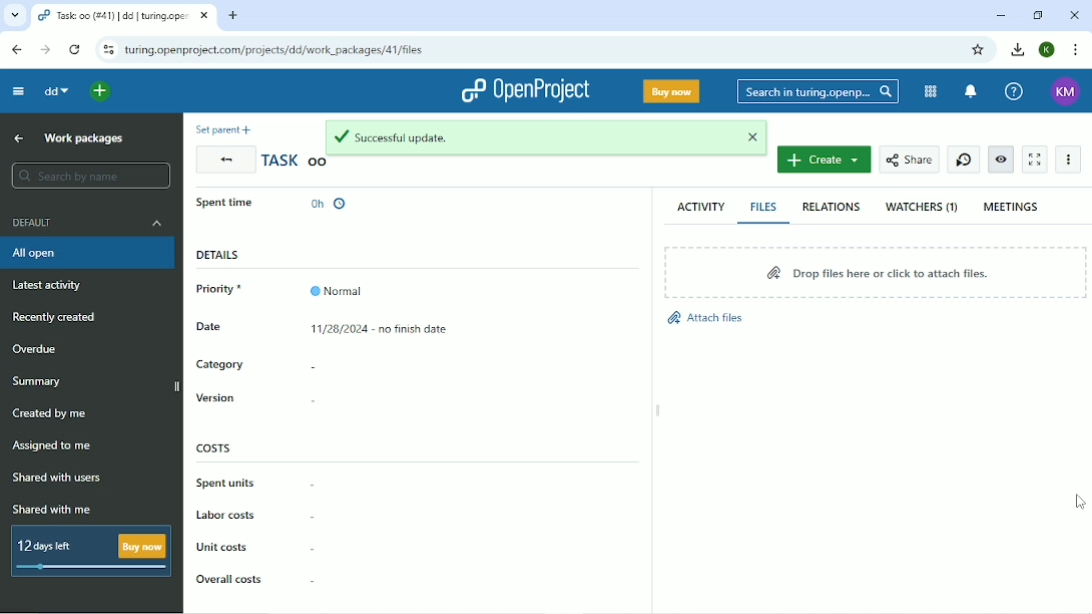 This screenshot has height=614, width=1092. What do you see at coordinates (234, 15) in the screenshot?
I see `New tab` at bounding box center [234, 15].